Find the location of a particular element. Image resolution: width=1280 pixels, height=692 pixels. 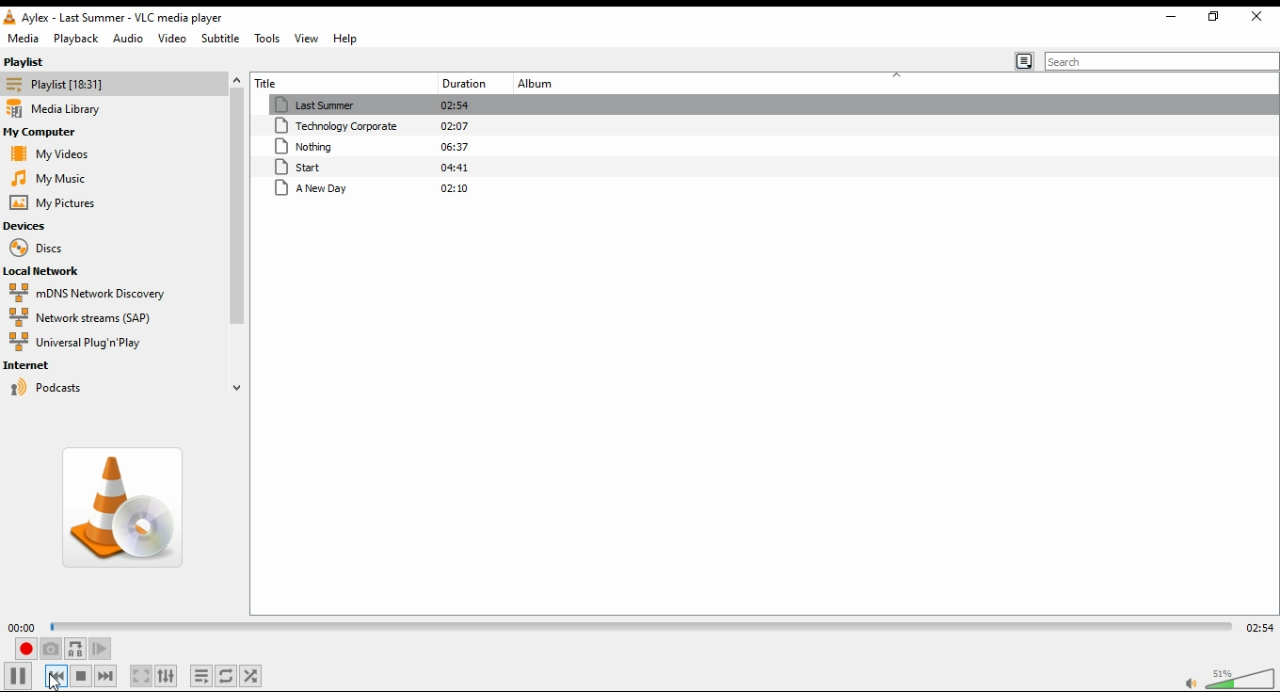

02:07 is located at coordinates (456, 126).